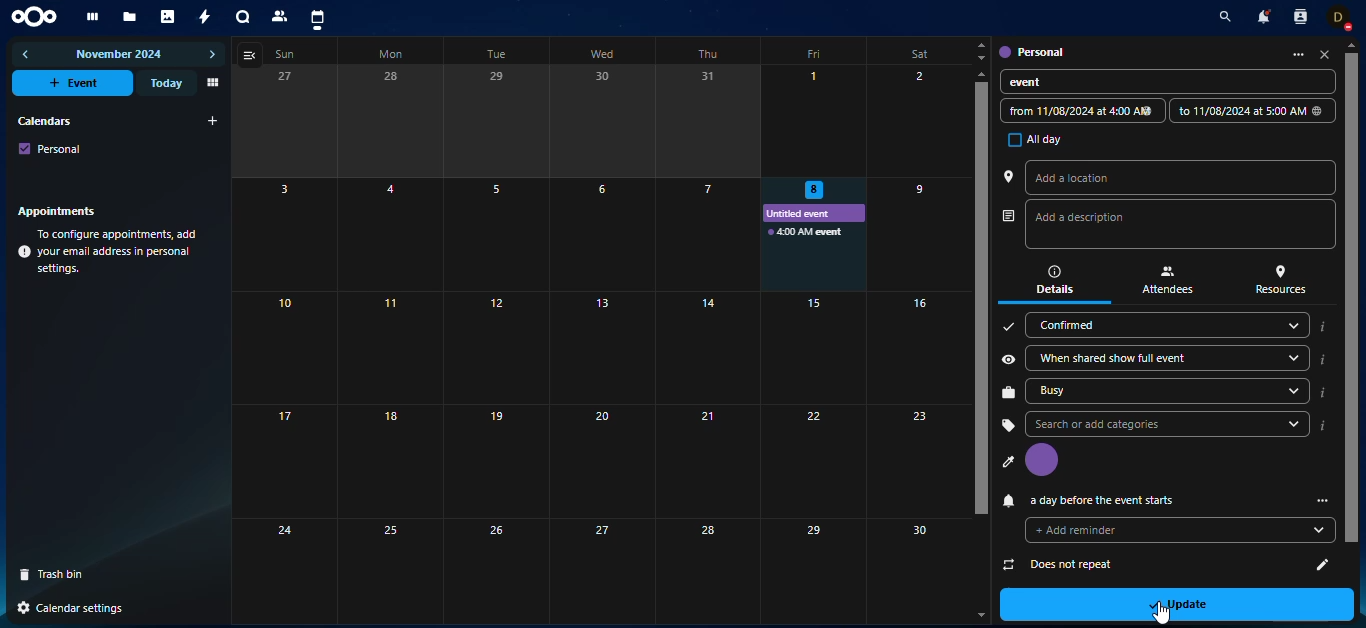  Describe the element at coordinates (1323, 360) in the screenshot. I see `i` at that location.